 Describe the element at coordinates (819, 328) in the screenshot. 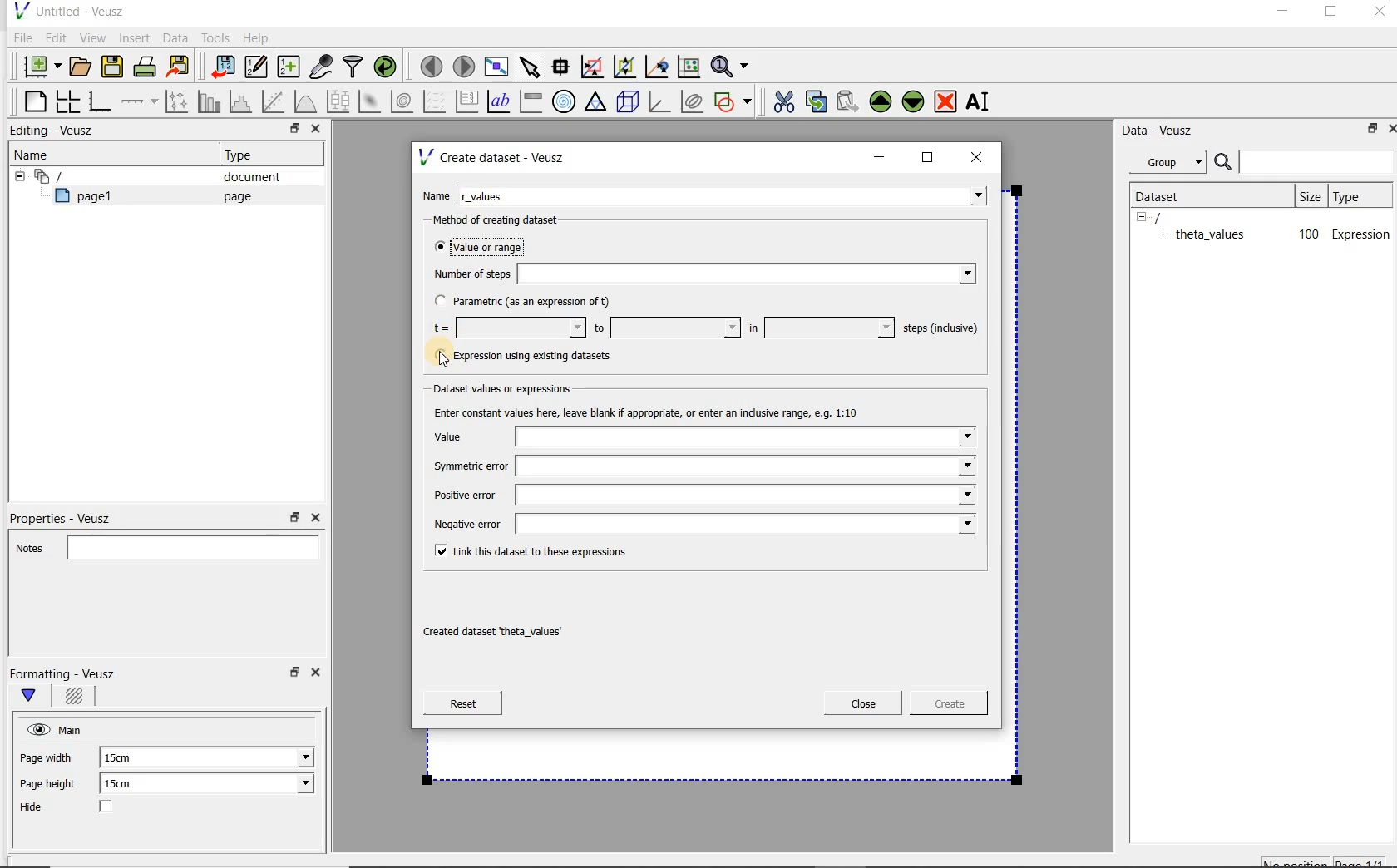

I see `in ` at that location.